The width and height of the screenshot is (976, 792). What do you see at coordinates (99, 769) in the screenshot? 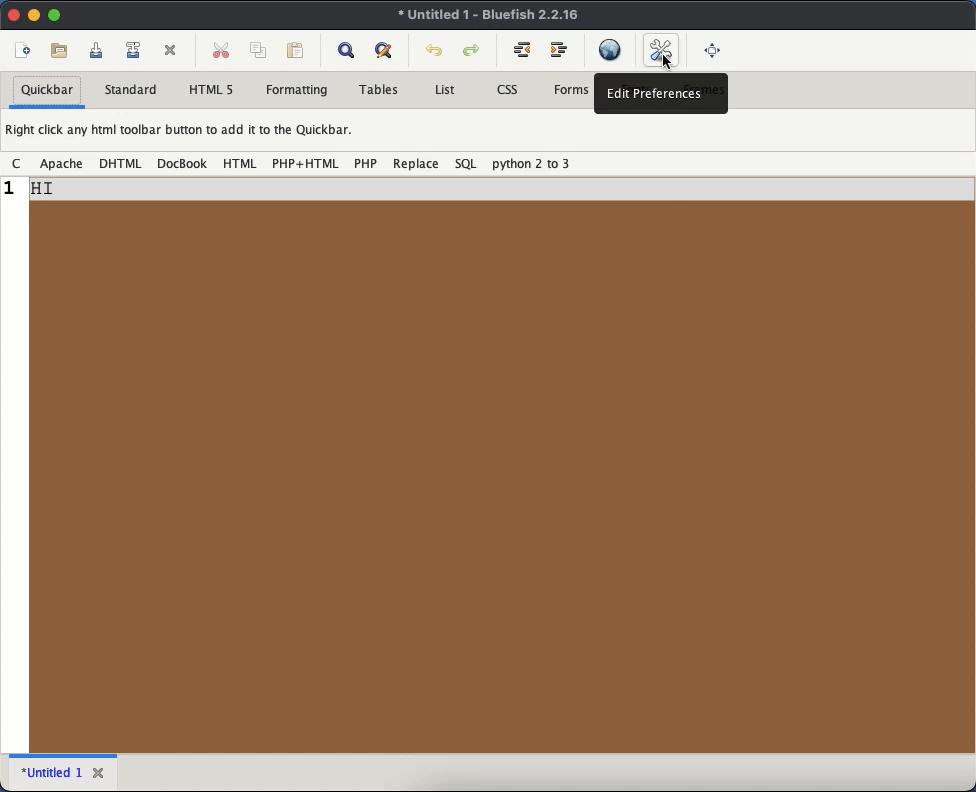
I see `close` at bounding box center [99, 769].